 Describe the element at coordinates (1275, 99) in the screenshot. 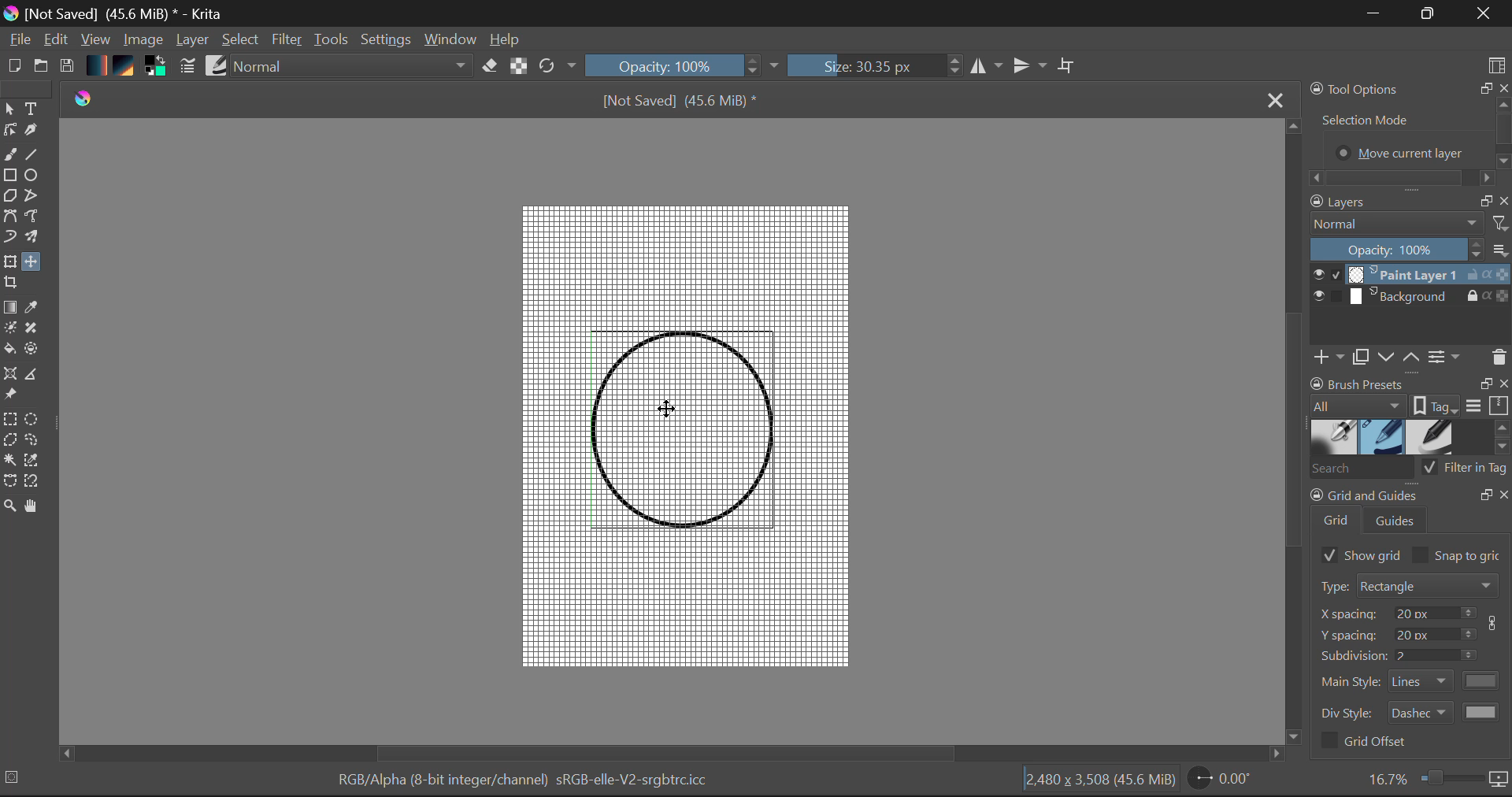

I see `Close` at that location.